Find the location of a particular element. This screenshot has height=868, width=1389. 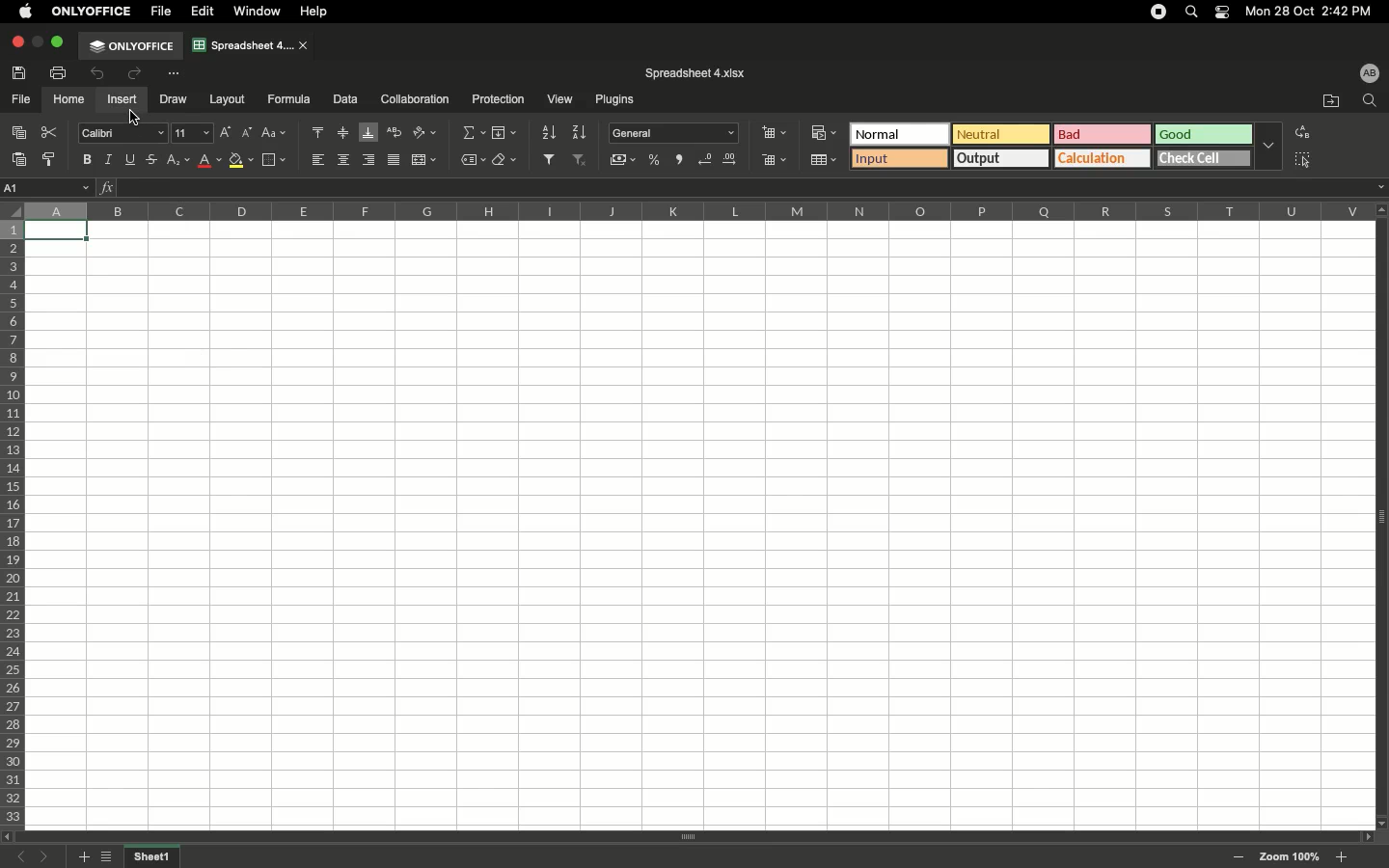

Decrease decimal is located at coordinates (705, 161).